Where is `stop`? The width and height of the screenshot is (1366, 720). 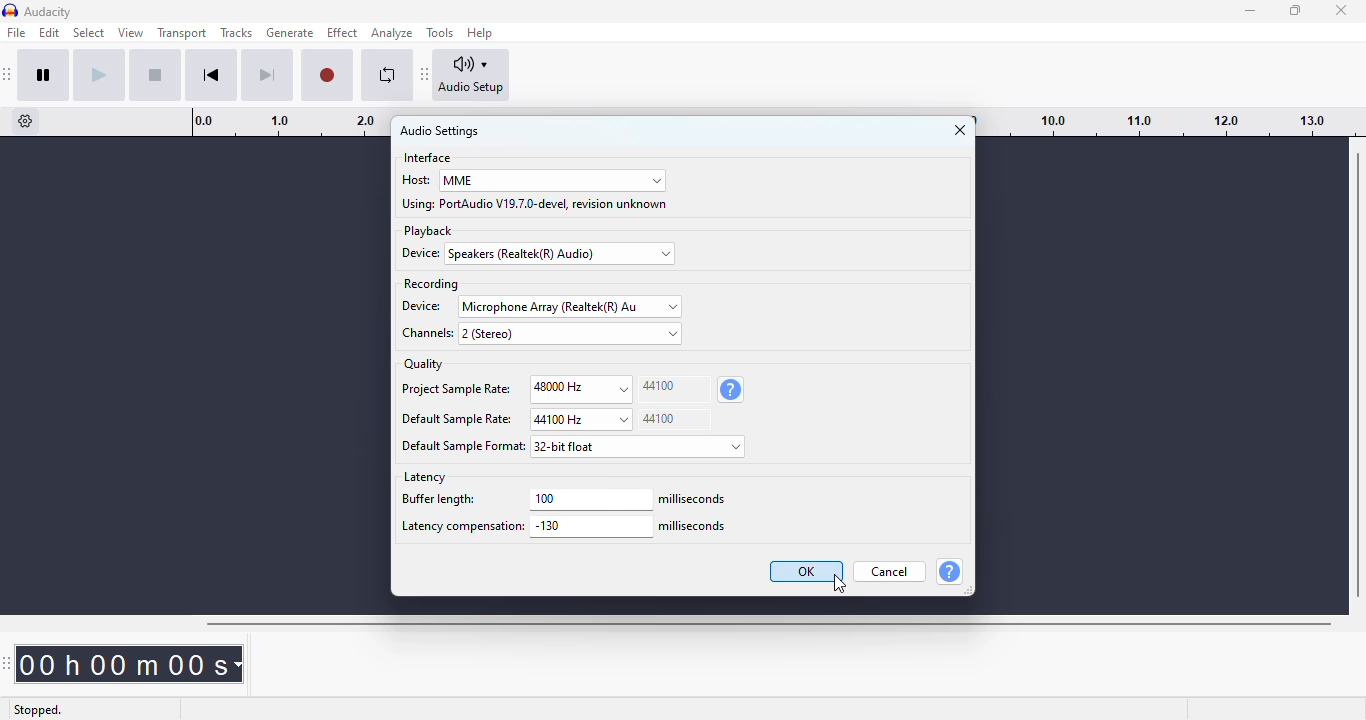 stop is located at coordinates (155, 75).